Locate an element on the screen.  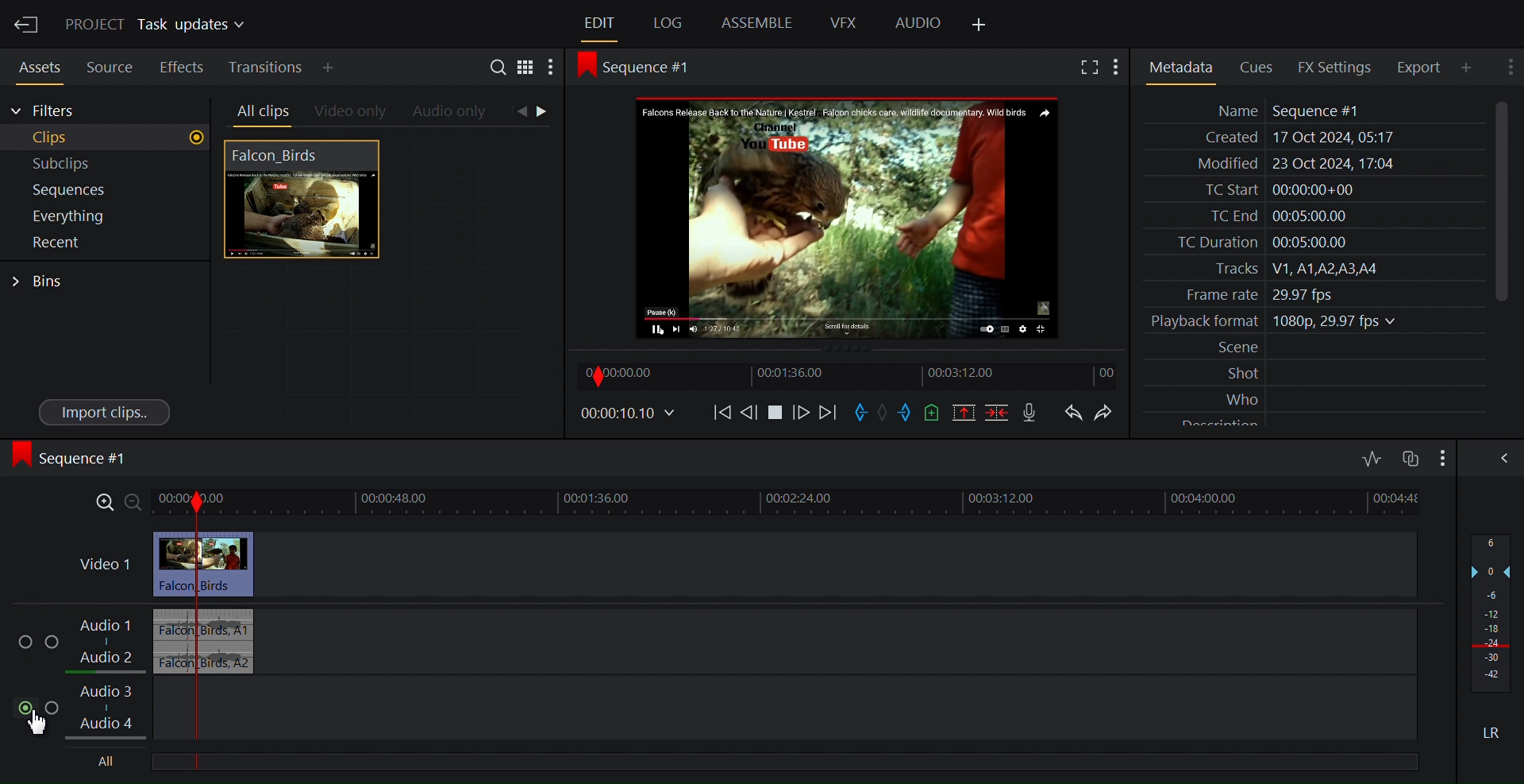
timeline is located at coordinates (821, 503).